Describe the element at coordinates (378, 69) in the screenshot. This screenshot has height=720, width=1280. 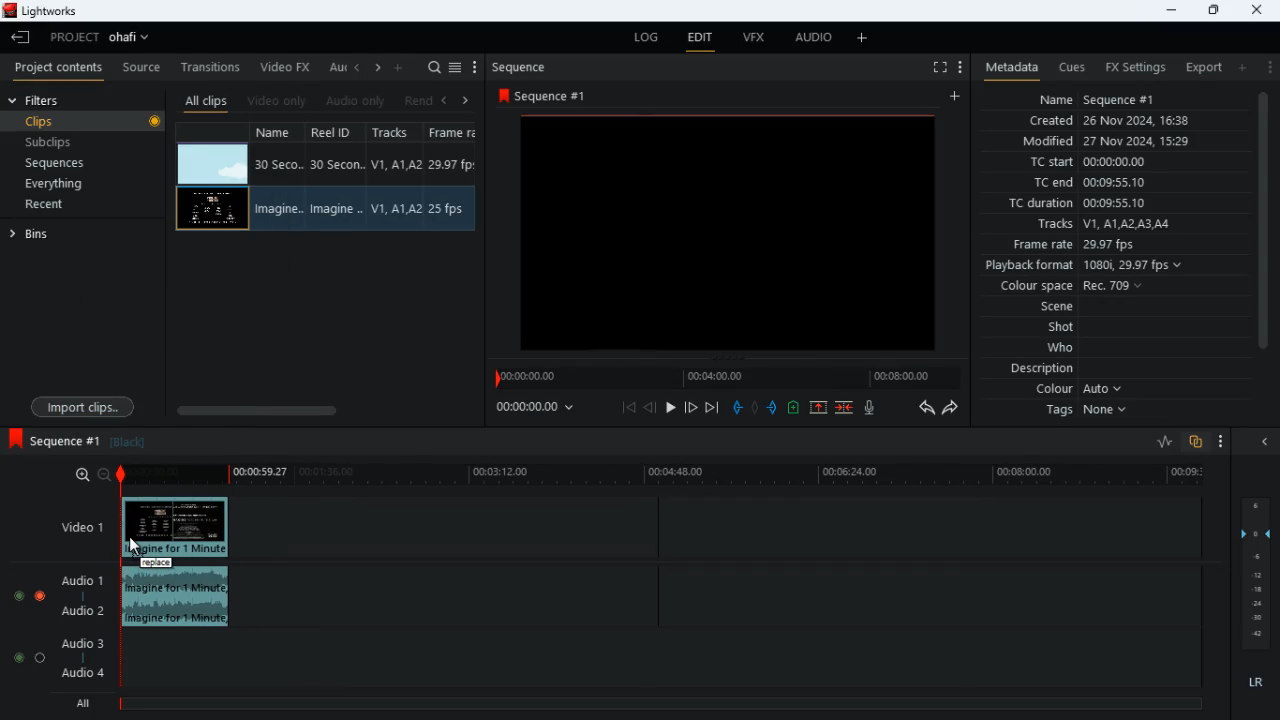
I see `right` at that location.